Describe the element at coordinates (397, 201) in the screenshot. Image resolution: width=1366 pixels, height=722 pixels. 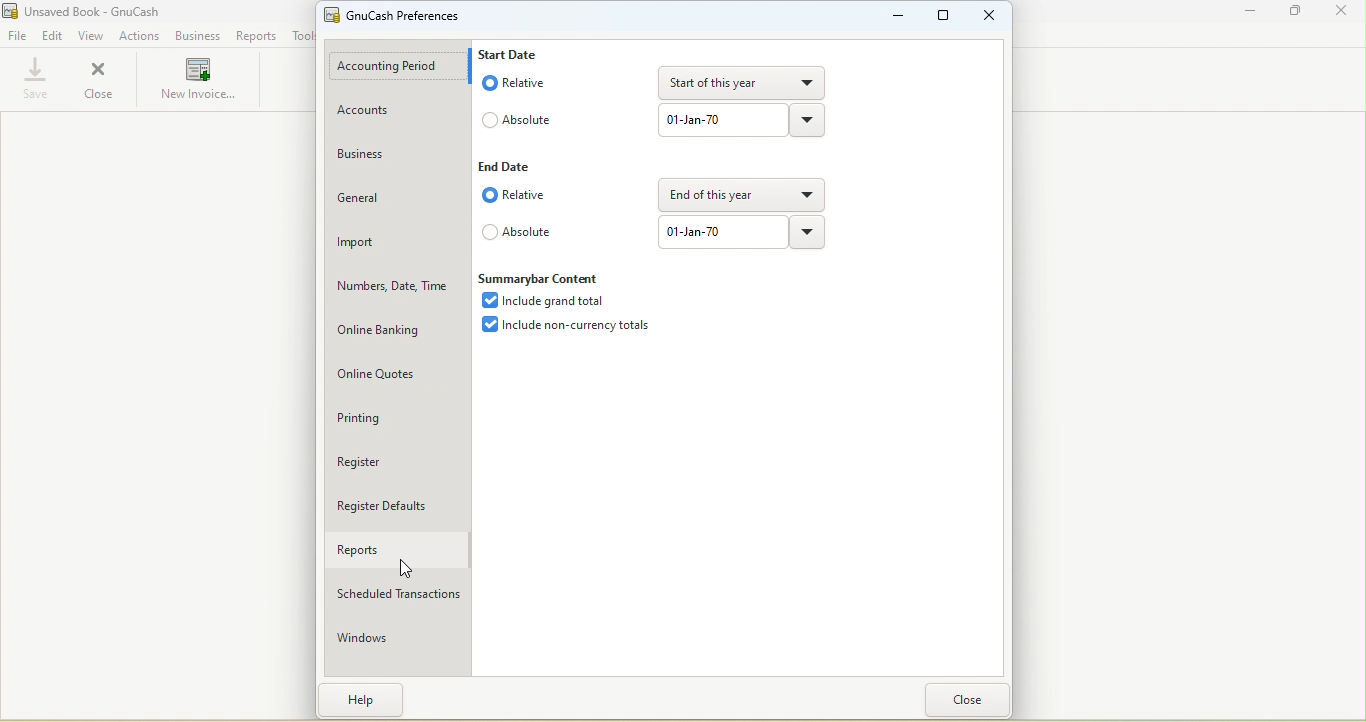
I see `General` at that location.